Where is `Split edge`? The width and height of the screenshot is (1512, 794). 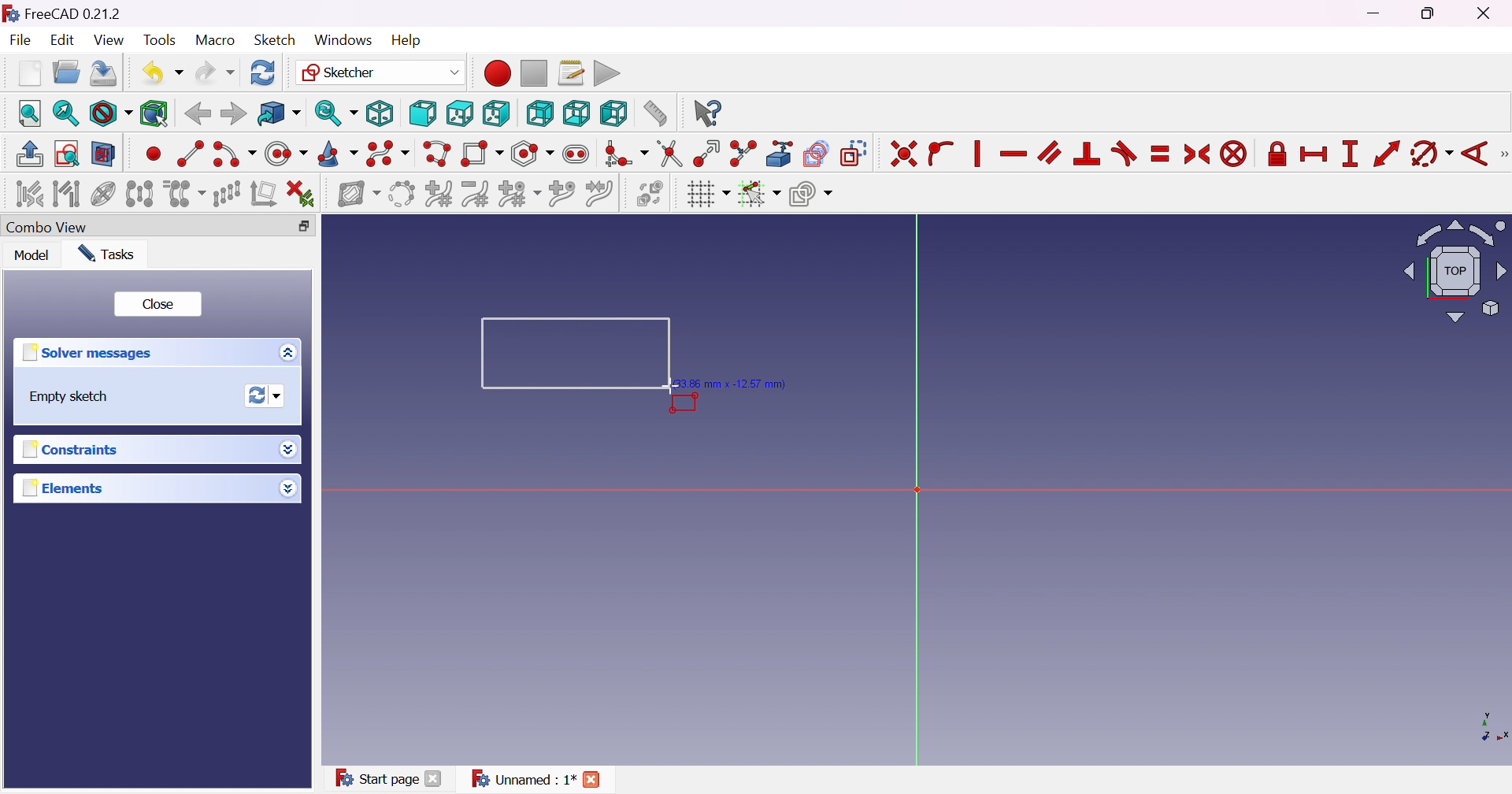 Split edge is located at coordinates (742, 154).